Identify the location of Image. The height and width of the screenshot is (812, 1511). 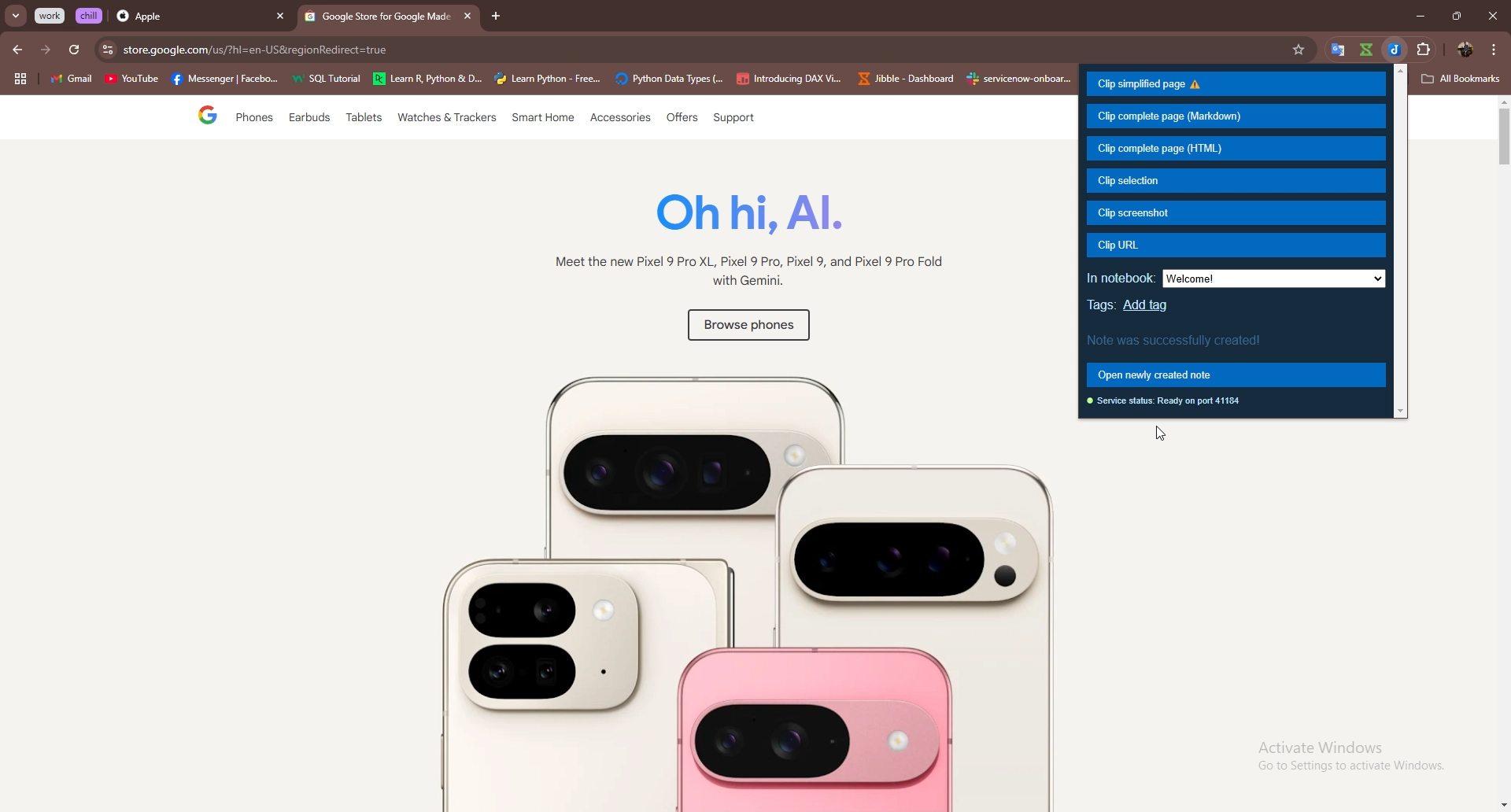
(704, 583).